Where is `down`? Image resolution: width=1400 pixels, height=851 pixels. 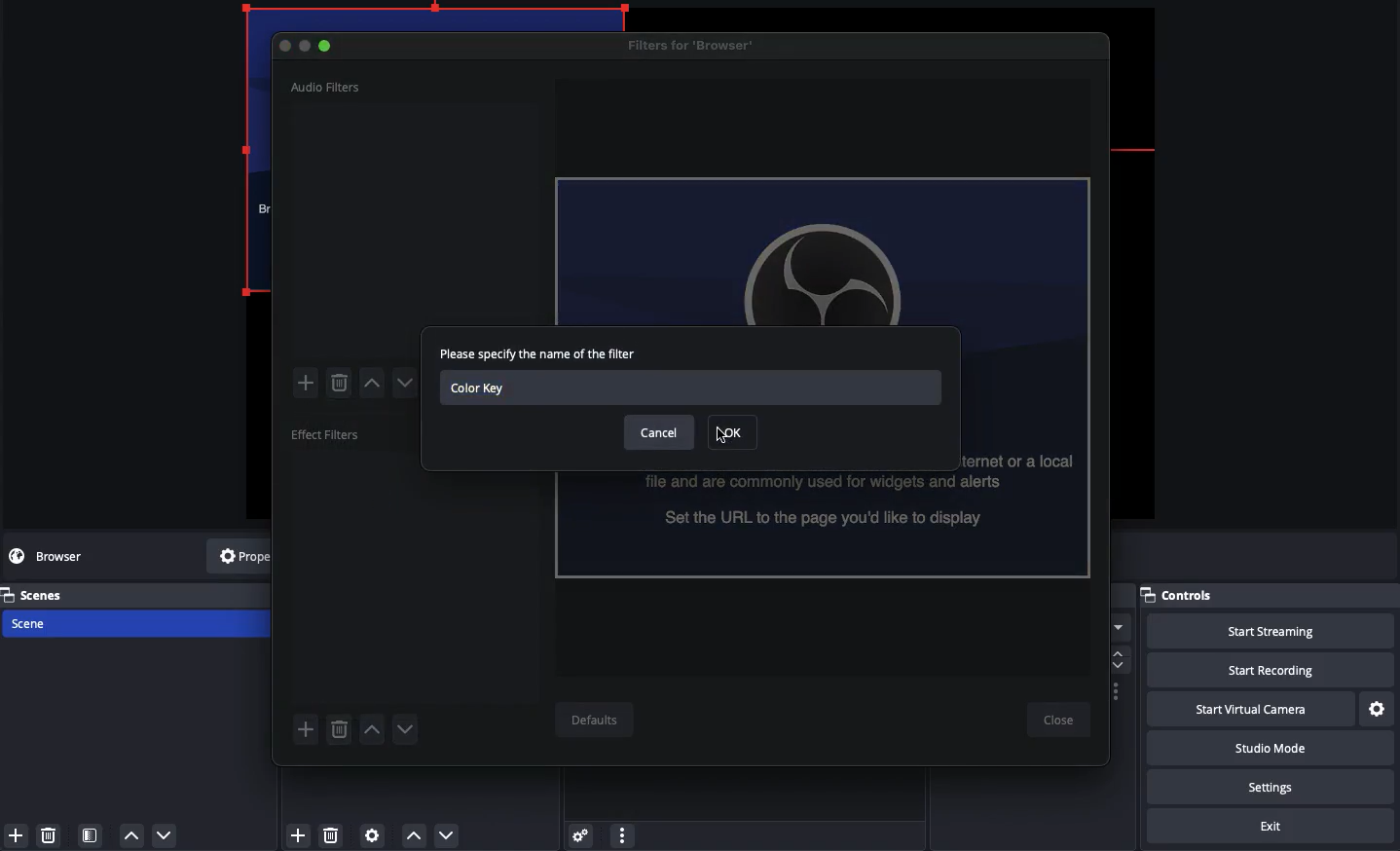
down is located at coordinates (410, 385).